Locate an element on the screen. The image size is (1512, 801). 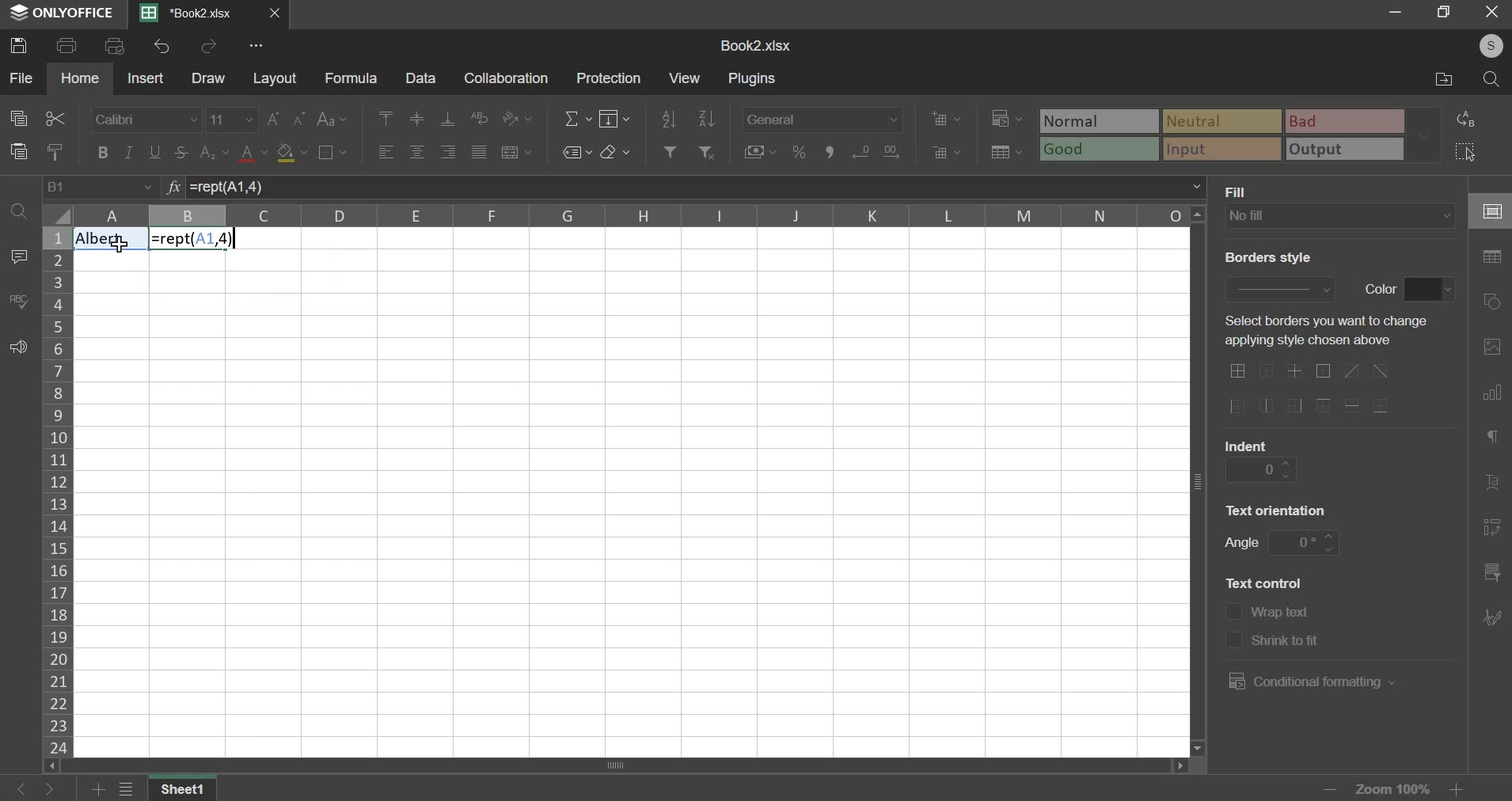
add sheets is located at coordinates (97, 788).